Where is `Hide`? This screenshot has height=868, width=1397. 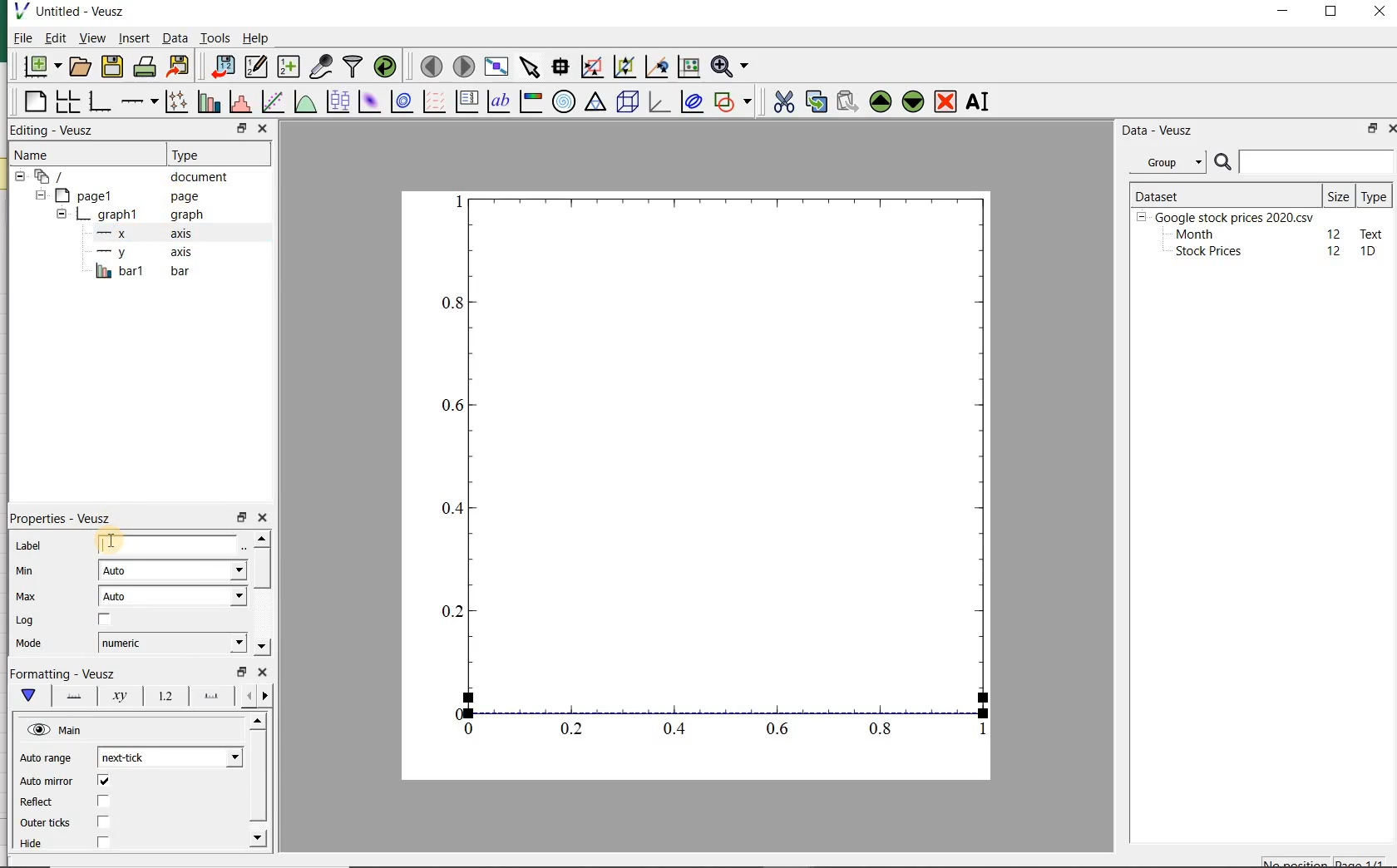
Hide is located at coordinates (35, 847).